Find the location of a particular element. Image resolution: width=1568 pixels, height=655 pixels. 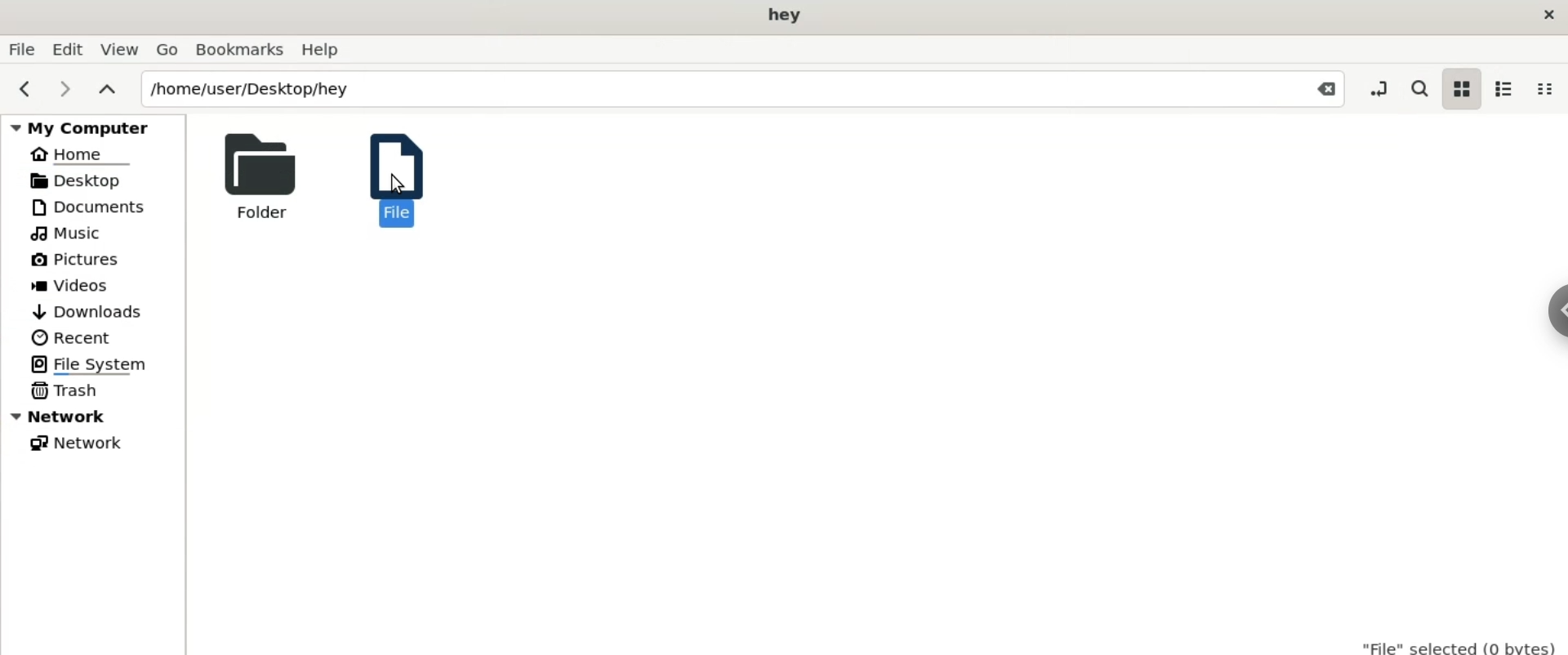

view is located at coordinates (118, 49).